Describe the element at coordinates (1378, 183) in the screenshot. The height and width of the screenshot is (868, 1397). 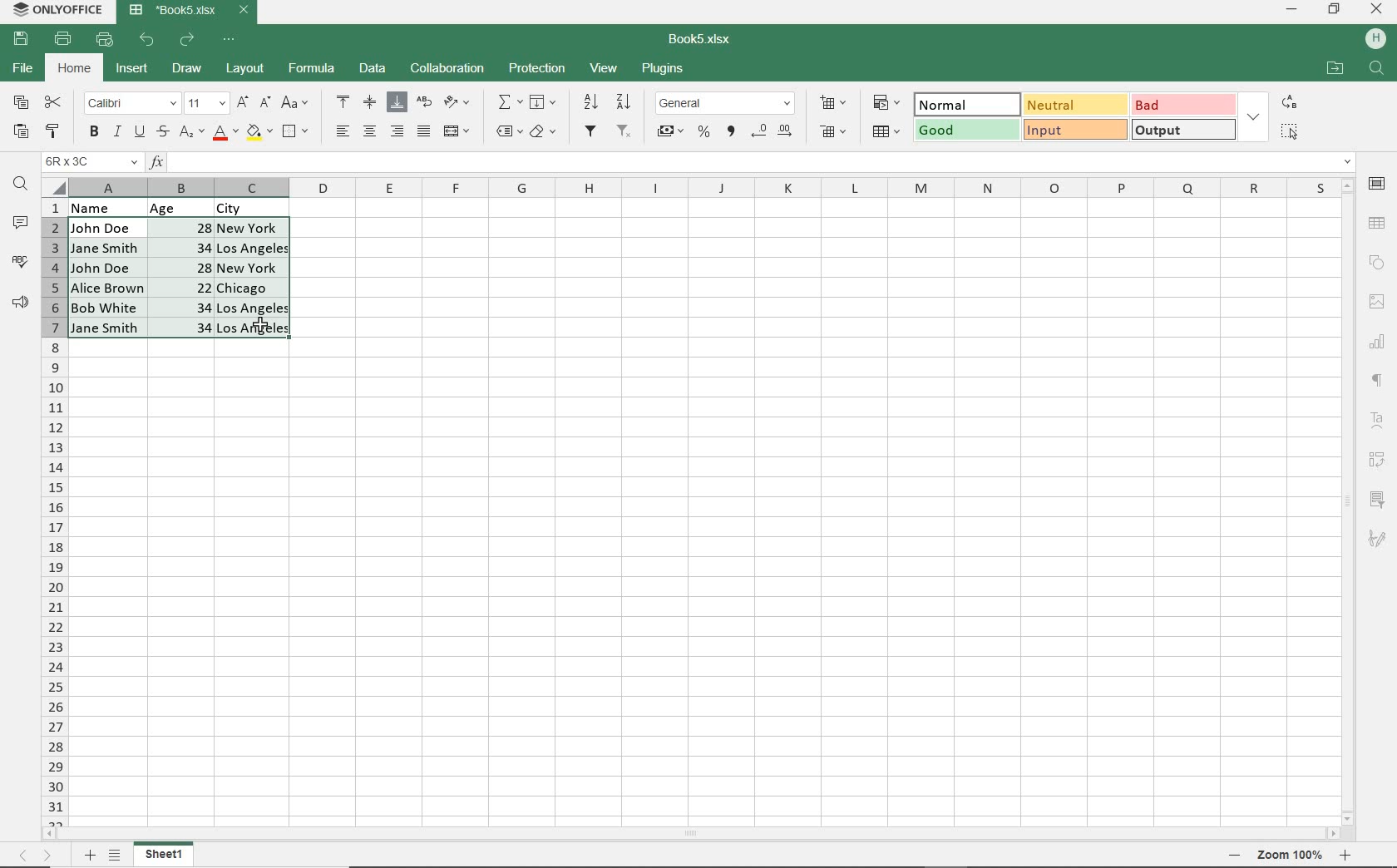
I see `CELL SETTINGS` at that location.